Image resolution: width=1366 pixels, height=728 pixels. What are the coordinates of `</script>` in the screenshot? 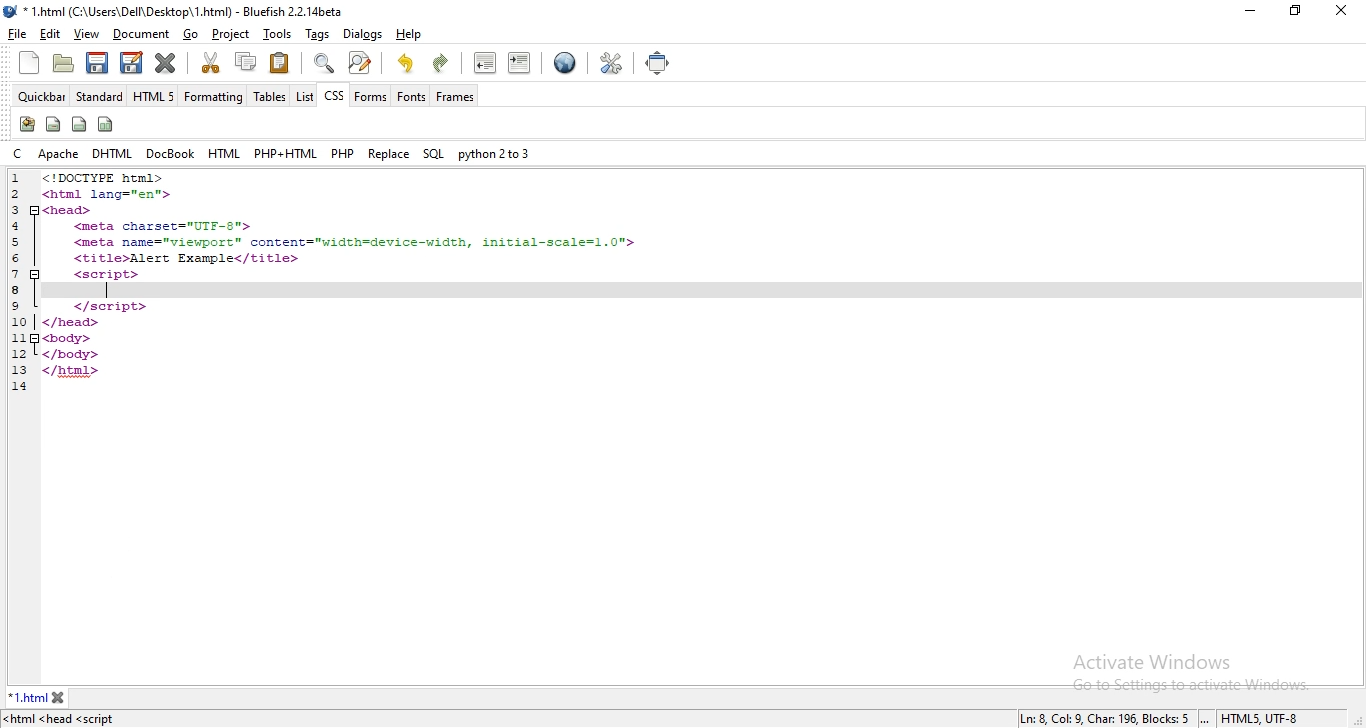 It's located at (108, 306).